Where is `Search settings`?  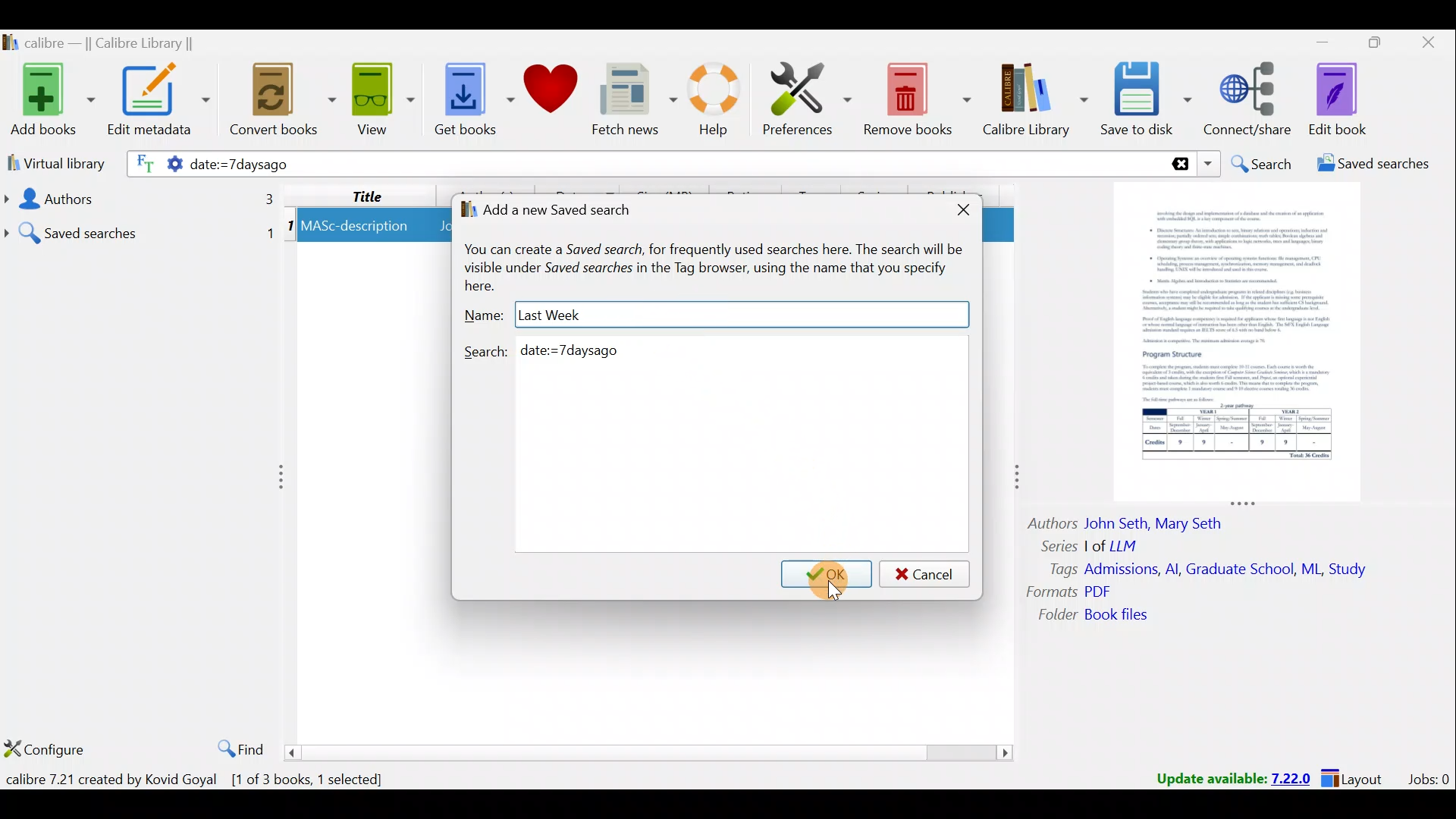
Search settings is located at coordinates (153, 166).